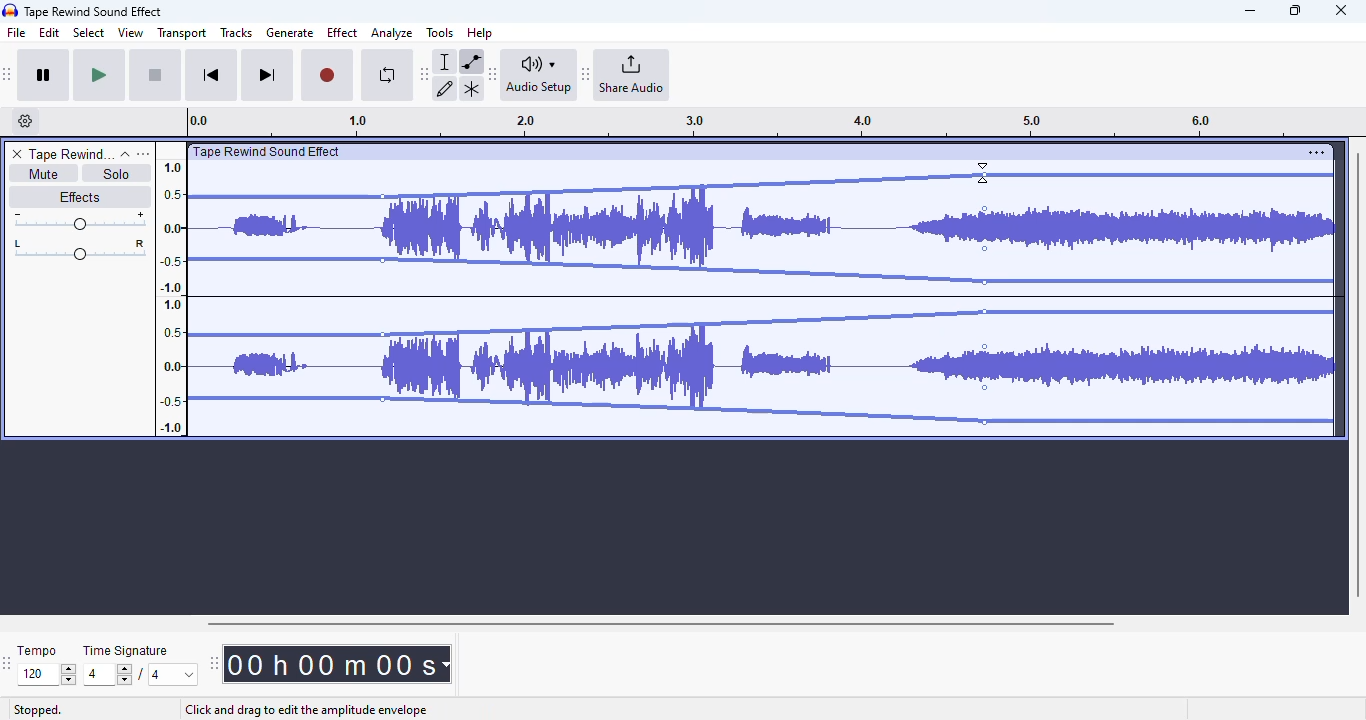 The width and height of the screenshot is (1366, 720). What do you see at coordinates (982, 173) in the screenshot?
I see `Cursor` at bounding box center [982, 173].